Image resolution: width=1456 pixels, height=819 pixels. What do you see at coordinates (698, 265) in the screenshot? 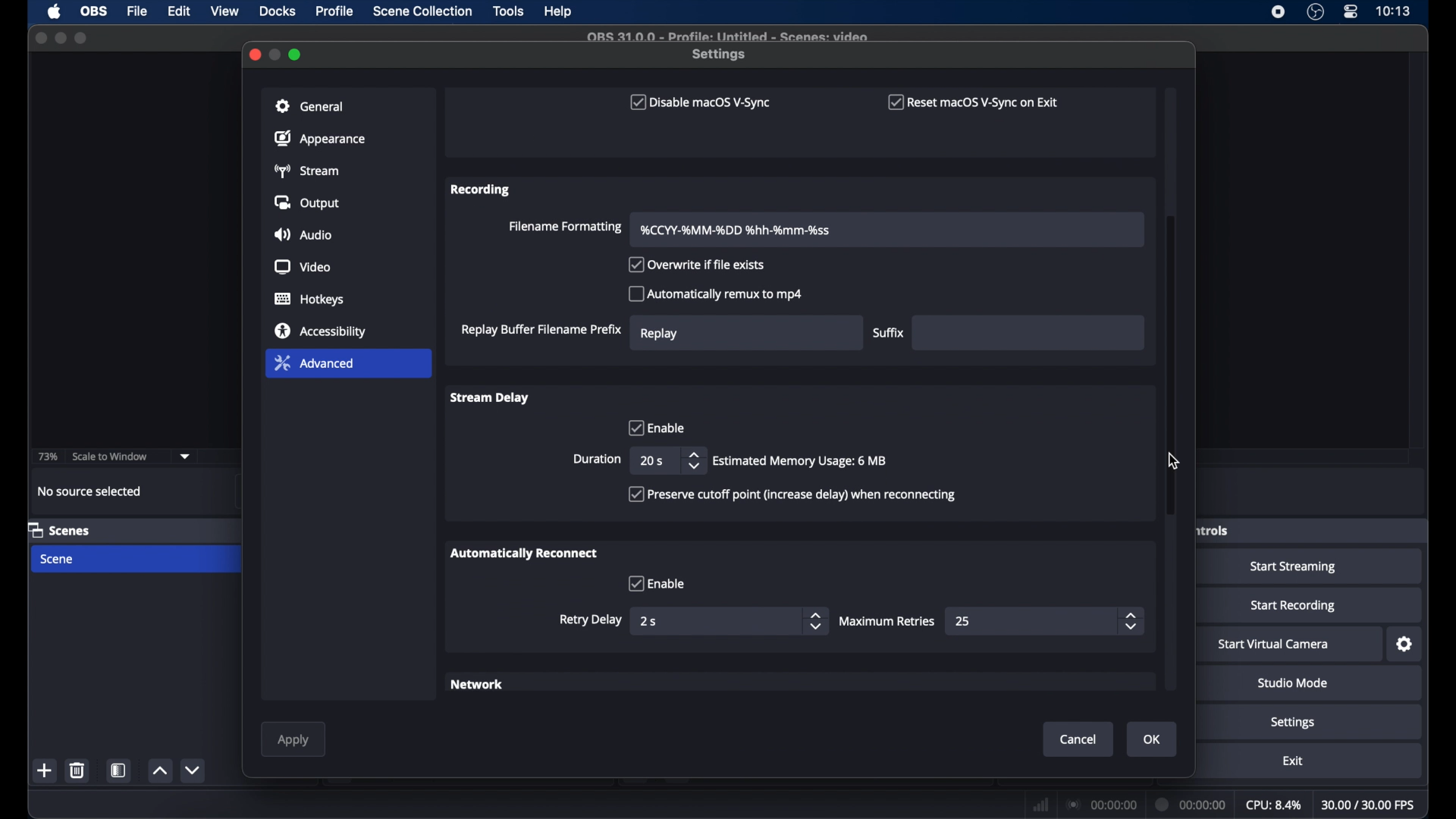
I see `overwrite if file exists ` at bounding box center [698, 265].